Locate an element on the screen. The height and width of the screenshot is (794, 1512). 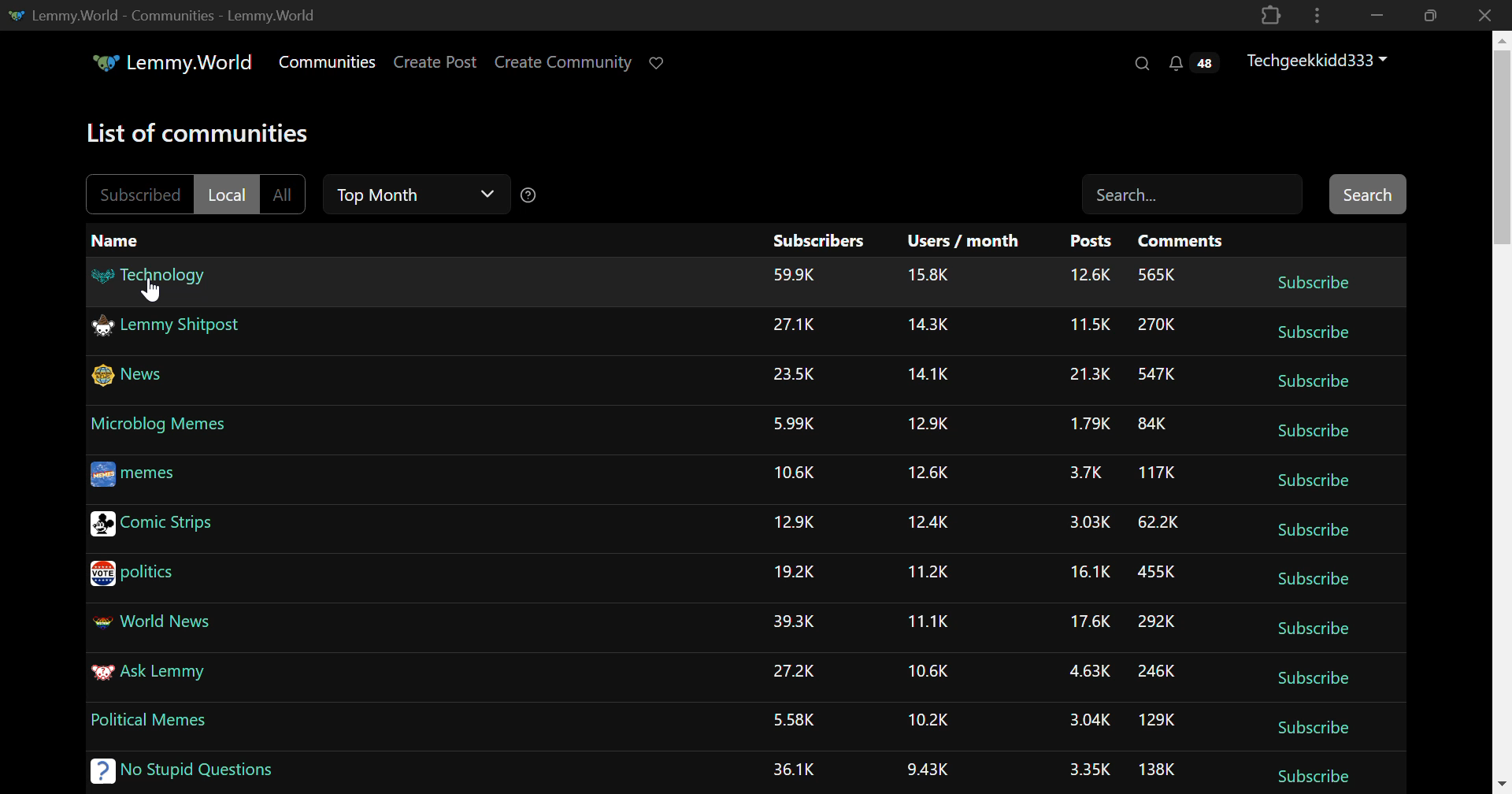
14.3K is located at coordinates (927, 325).